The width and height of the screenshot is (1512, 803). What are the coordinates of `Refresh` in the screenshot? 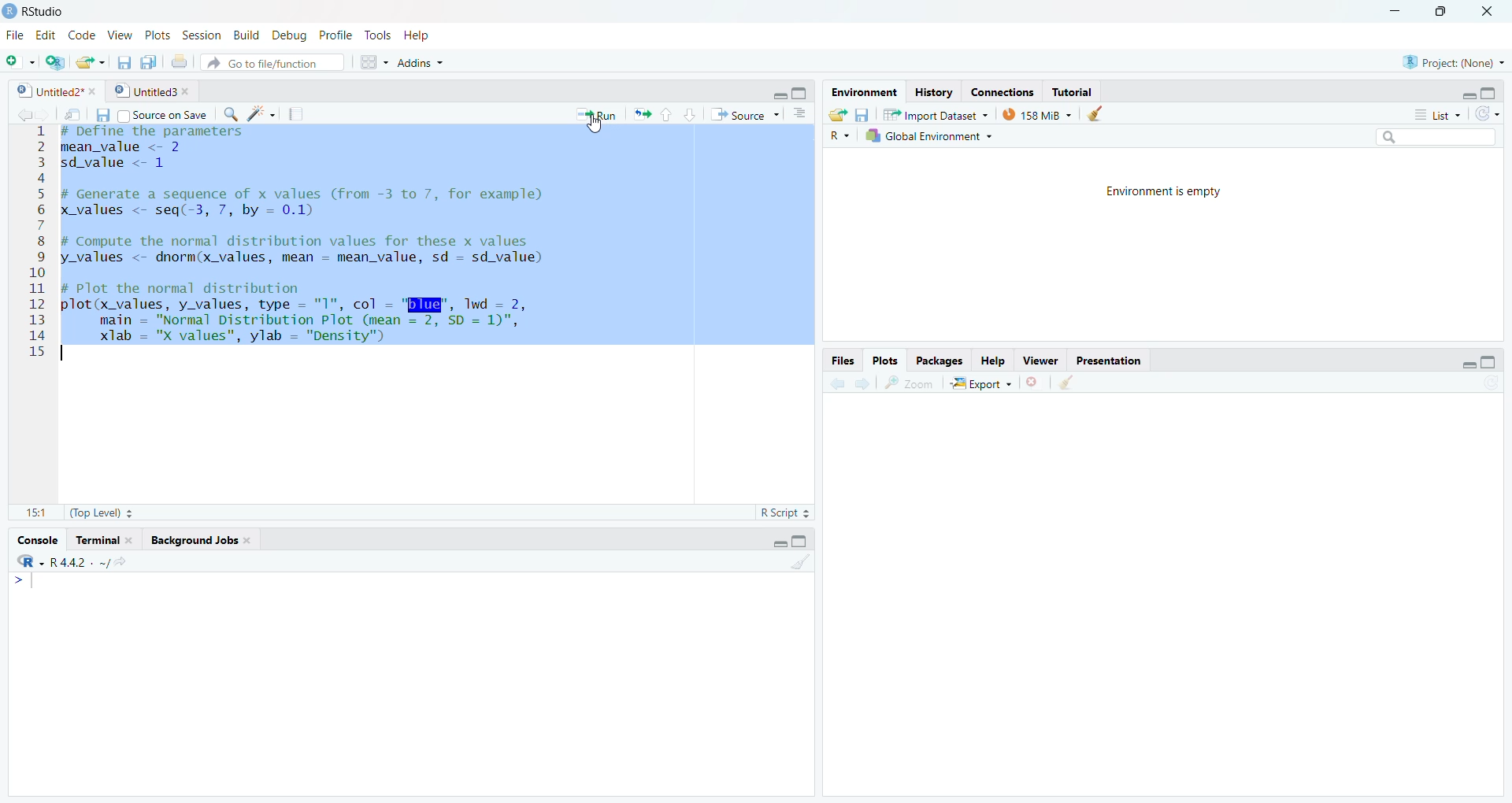 It's located at (1492, 115).